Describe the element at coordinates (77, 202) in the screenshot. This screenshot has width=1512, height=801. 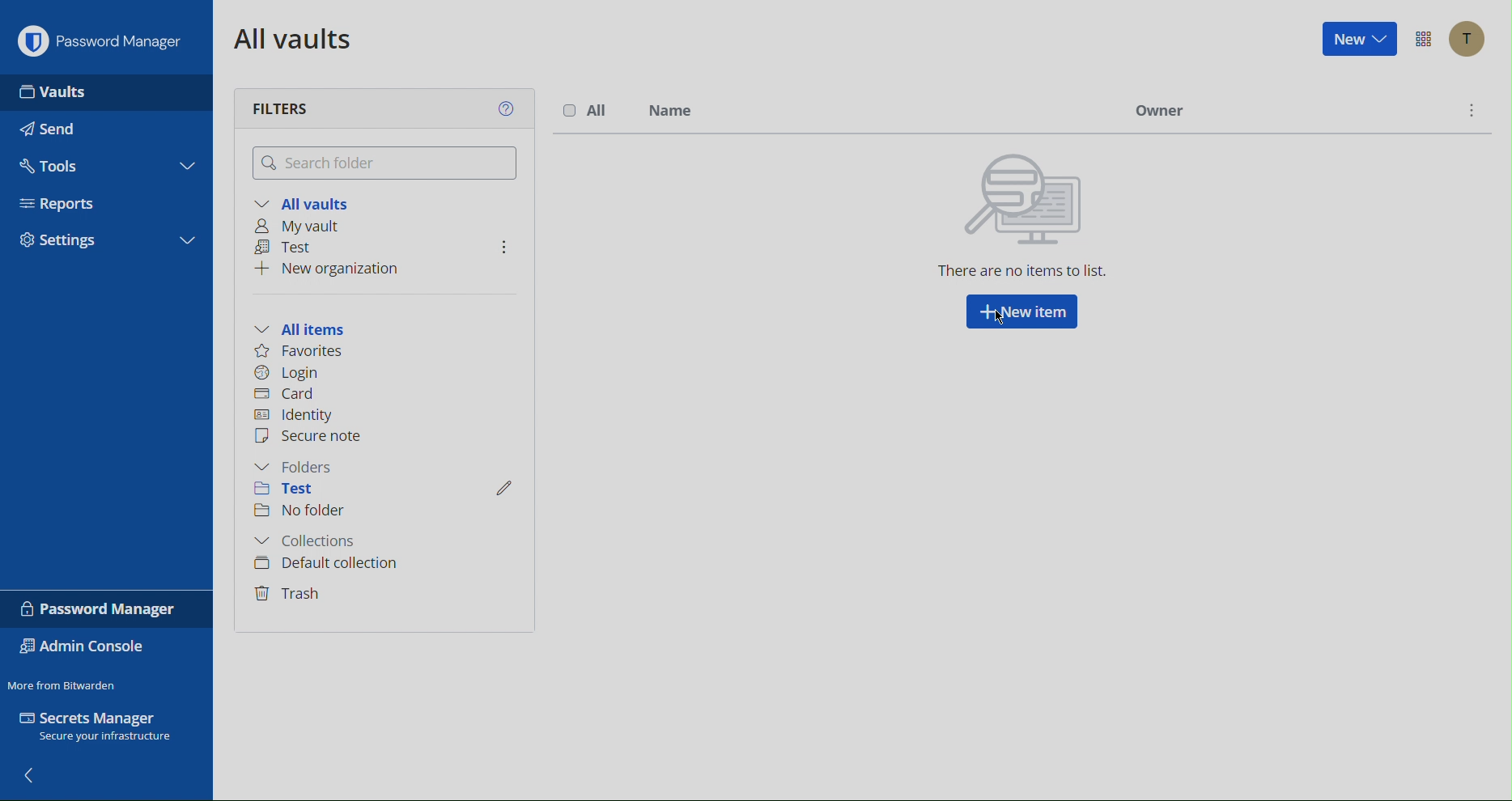
I see `Reports` at that location.